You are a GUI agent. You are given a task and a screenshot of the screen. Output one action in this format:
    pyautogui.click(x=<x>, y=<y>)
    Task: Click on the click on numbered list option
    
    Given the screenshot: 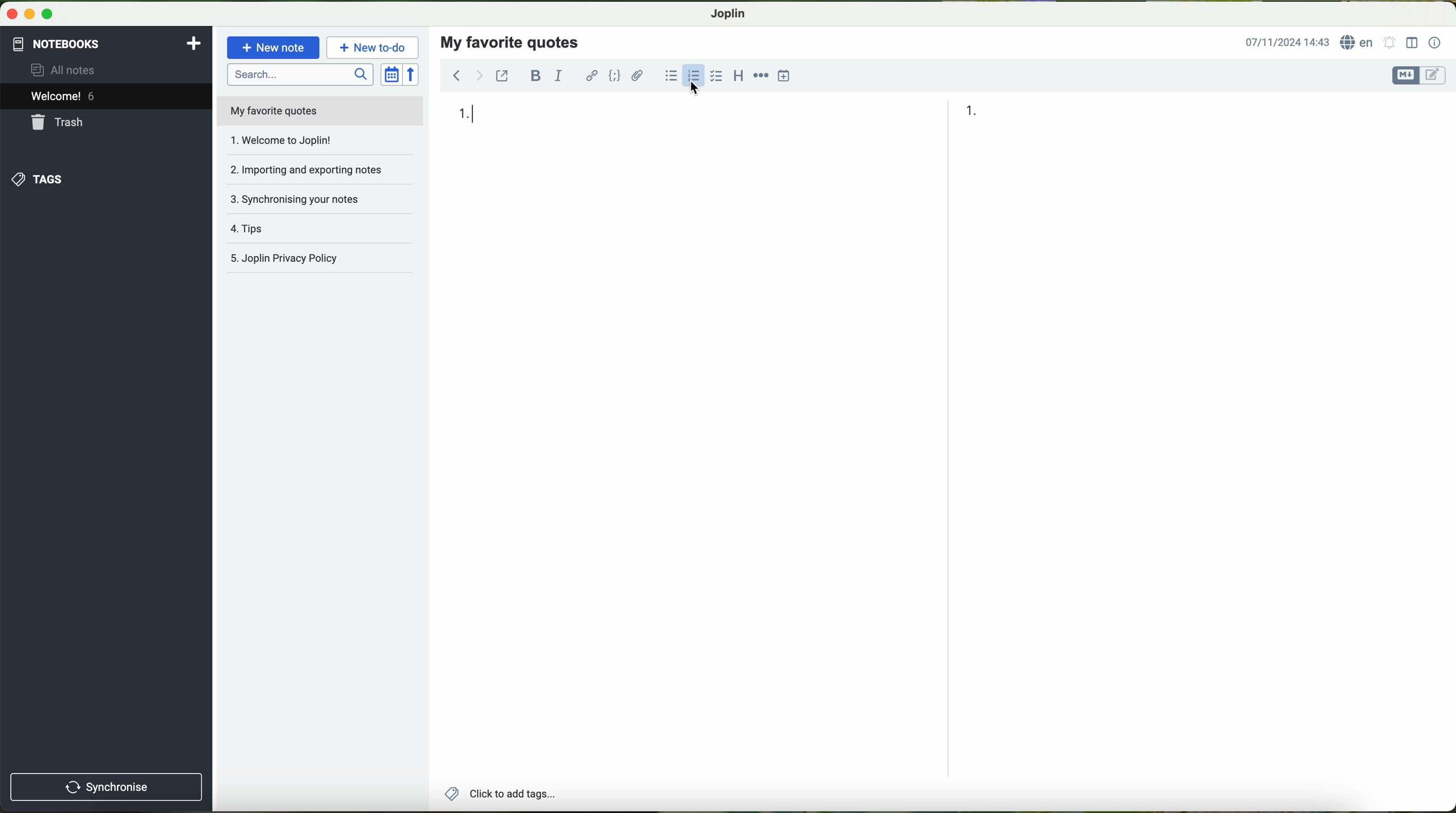 What is the action you would take?
    pyautogui.click(x=691, y=79)
    